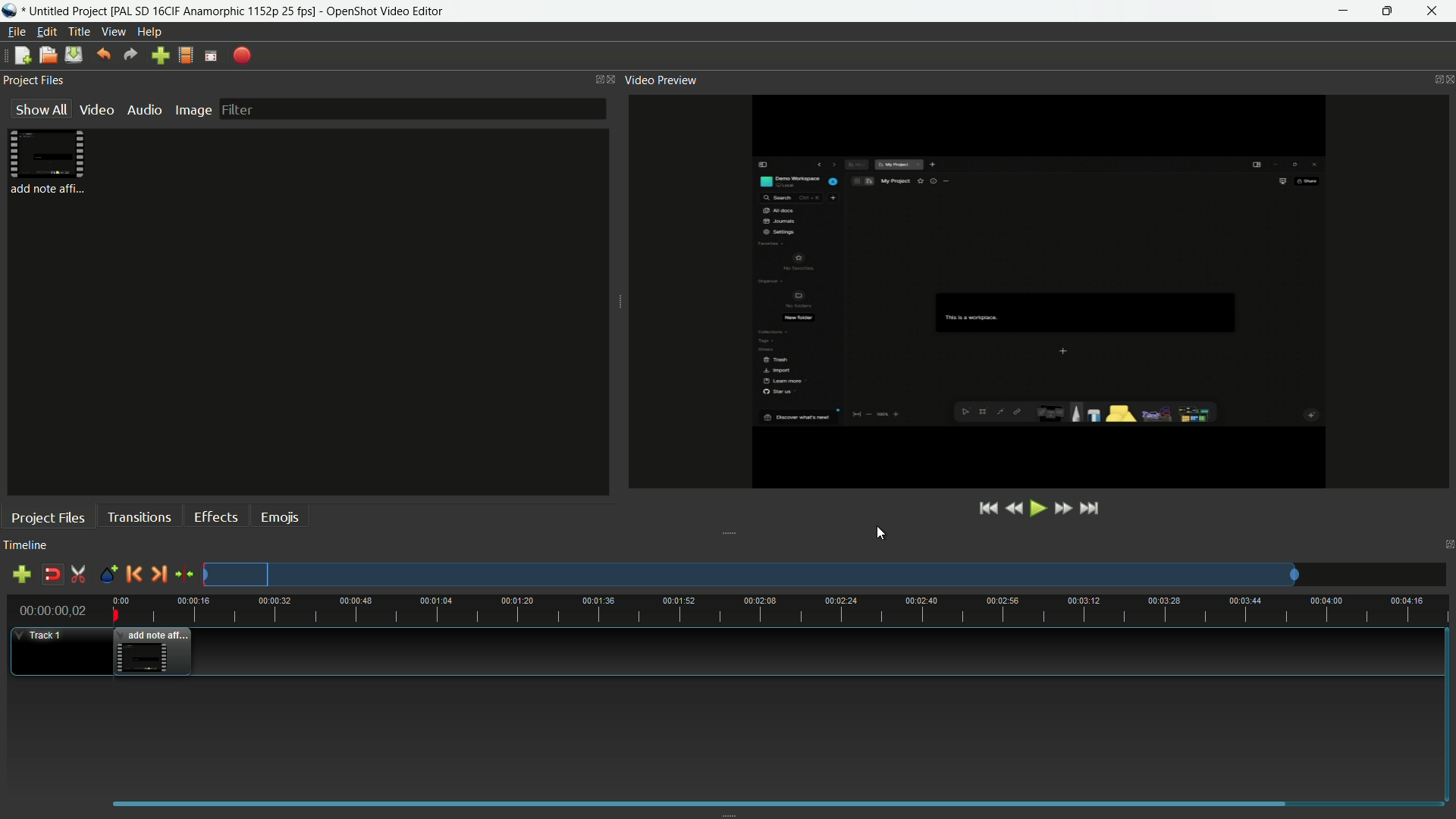  What do you see at coordinates (1341, 11) in the screenshot?
I see `minimize` at bounding box center [1341, 11].